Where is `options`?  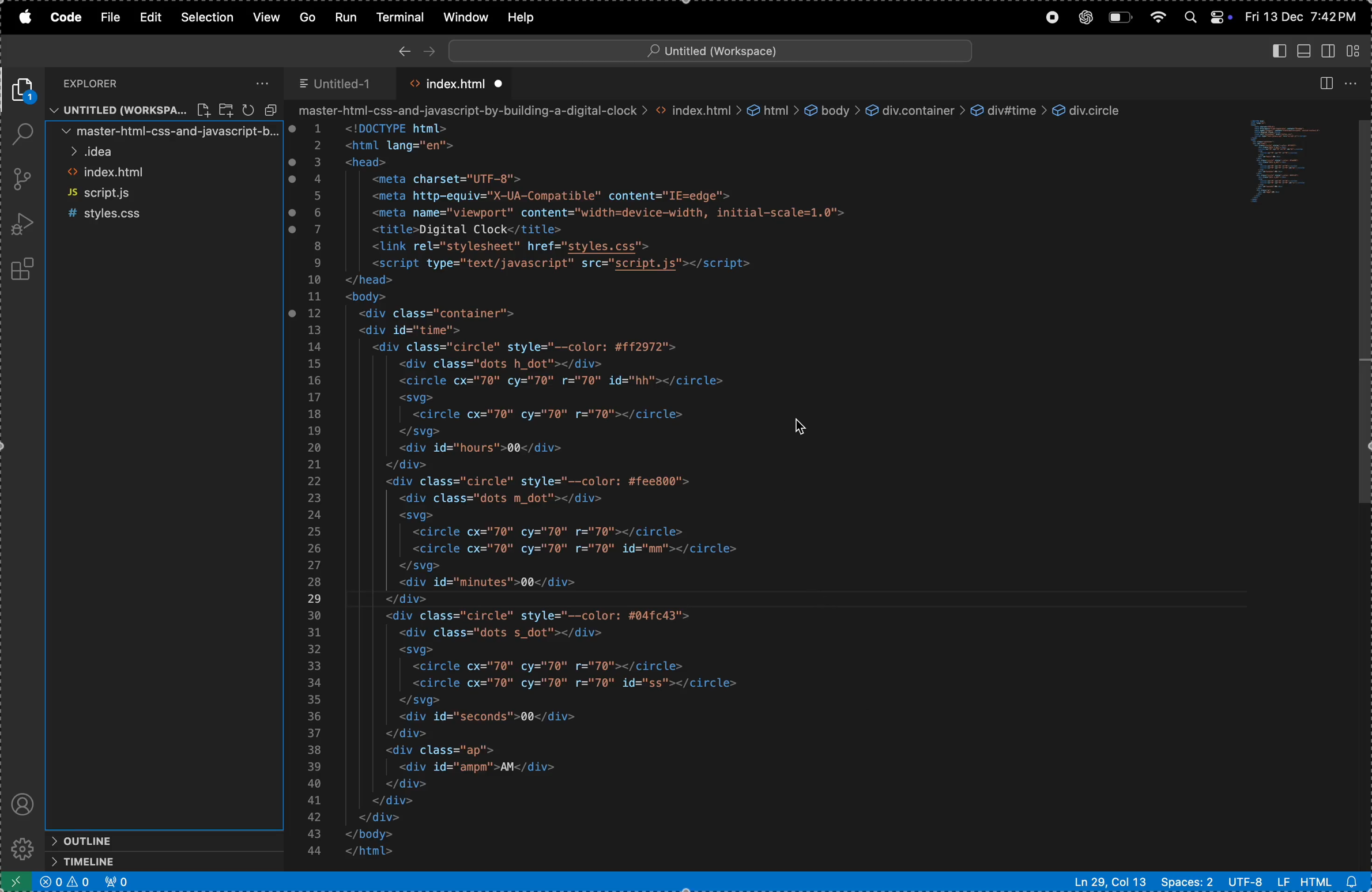
options is located at coordinates (259, 82).